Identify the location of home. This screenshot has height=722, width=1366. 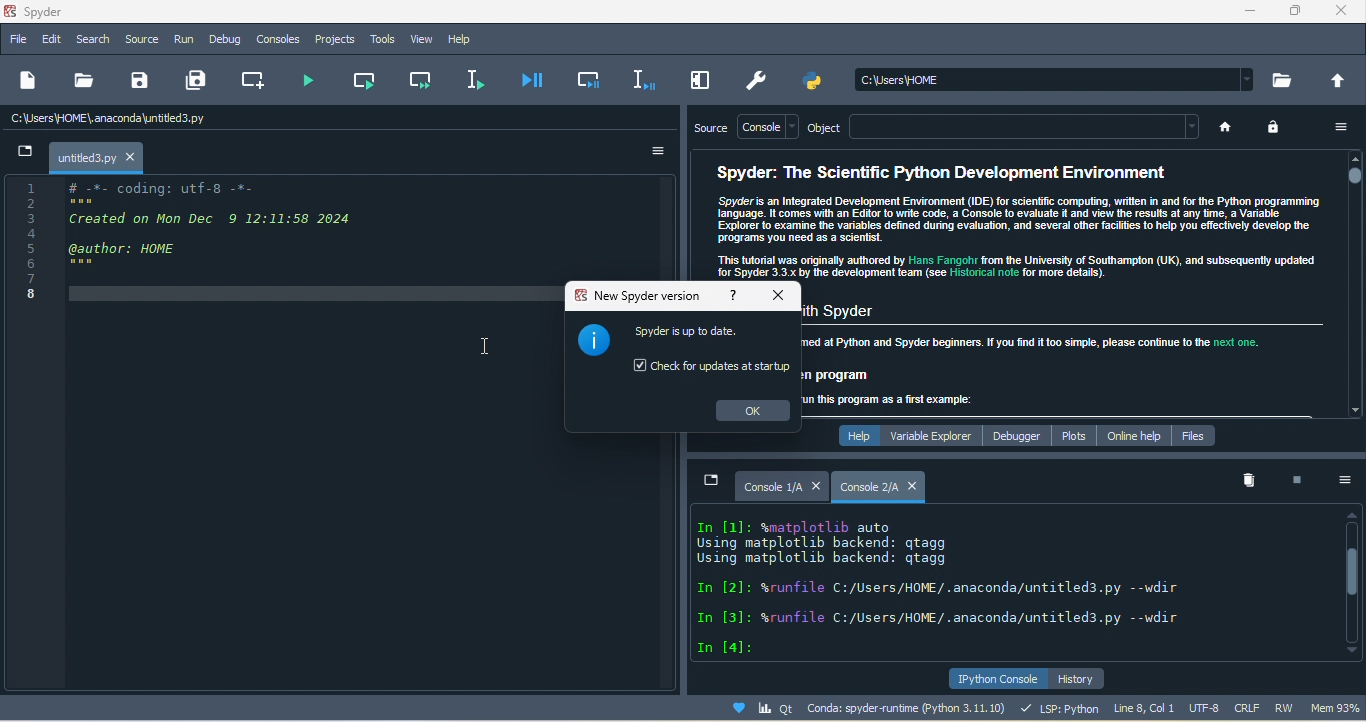
(1231, 130).